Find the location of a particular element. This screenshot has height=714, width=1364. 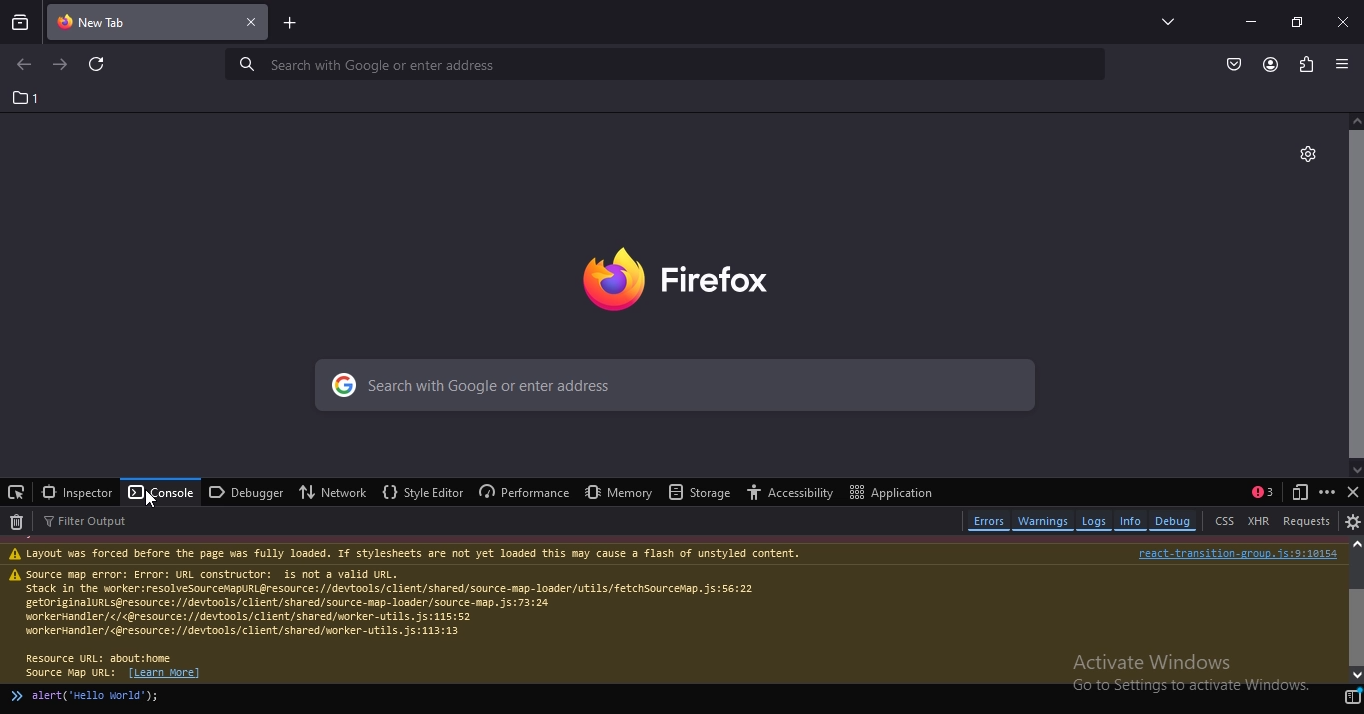

memory is located at coordinates (619, 491).